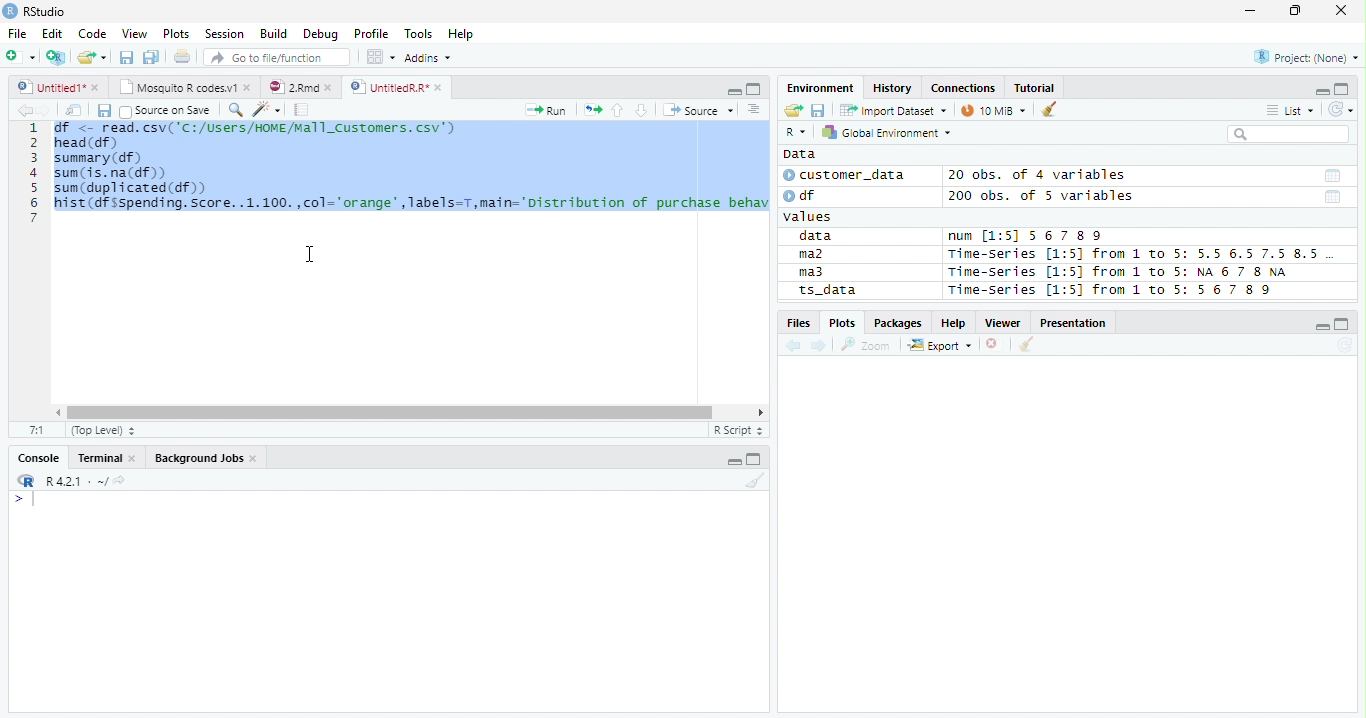  I want to click on Profile, so click(370, 34).